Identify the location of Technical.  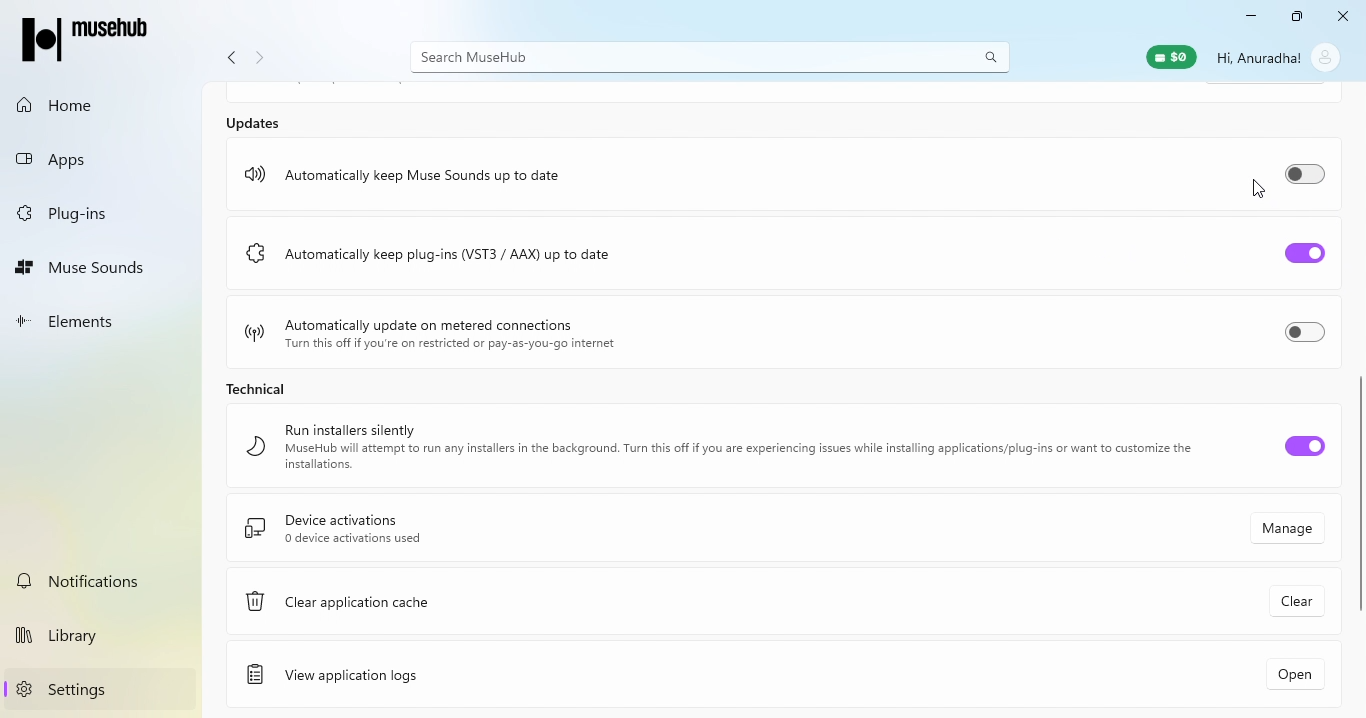
(279, 390).